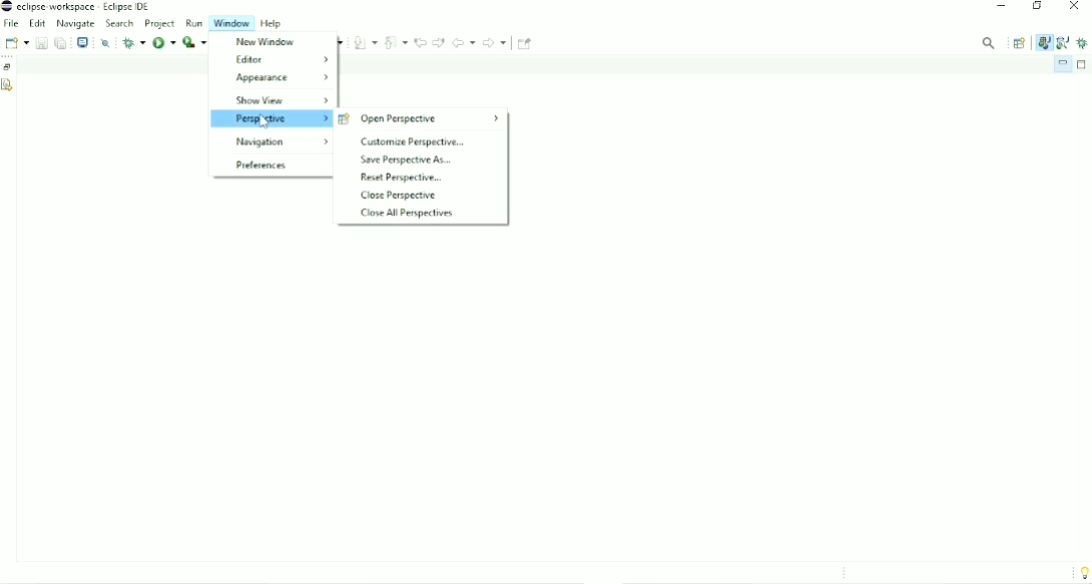 This screenshot has height=584, width=1092. What do you see at coordinates (1036, 8) in the screenshot?
I see `Restore down` at bounding box center [1036, 8].